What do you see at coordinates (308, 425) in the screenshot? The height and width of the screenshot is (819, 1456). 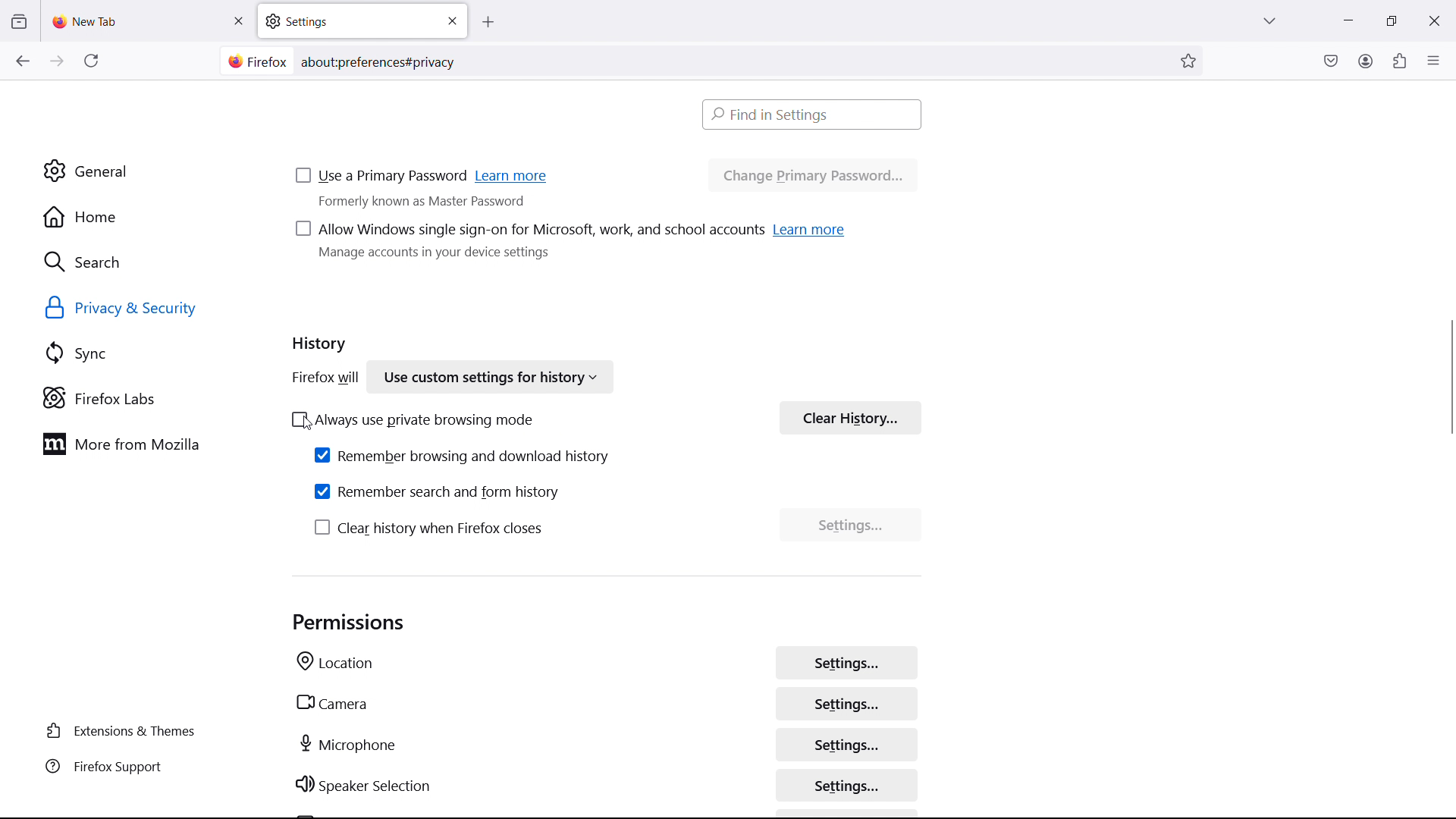 I see `cursor` at bounding box center [308, 425].